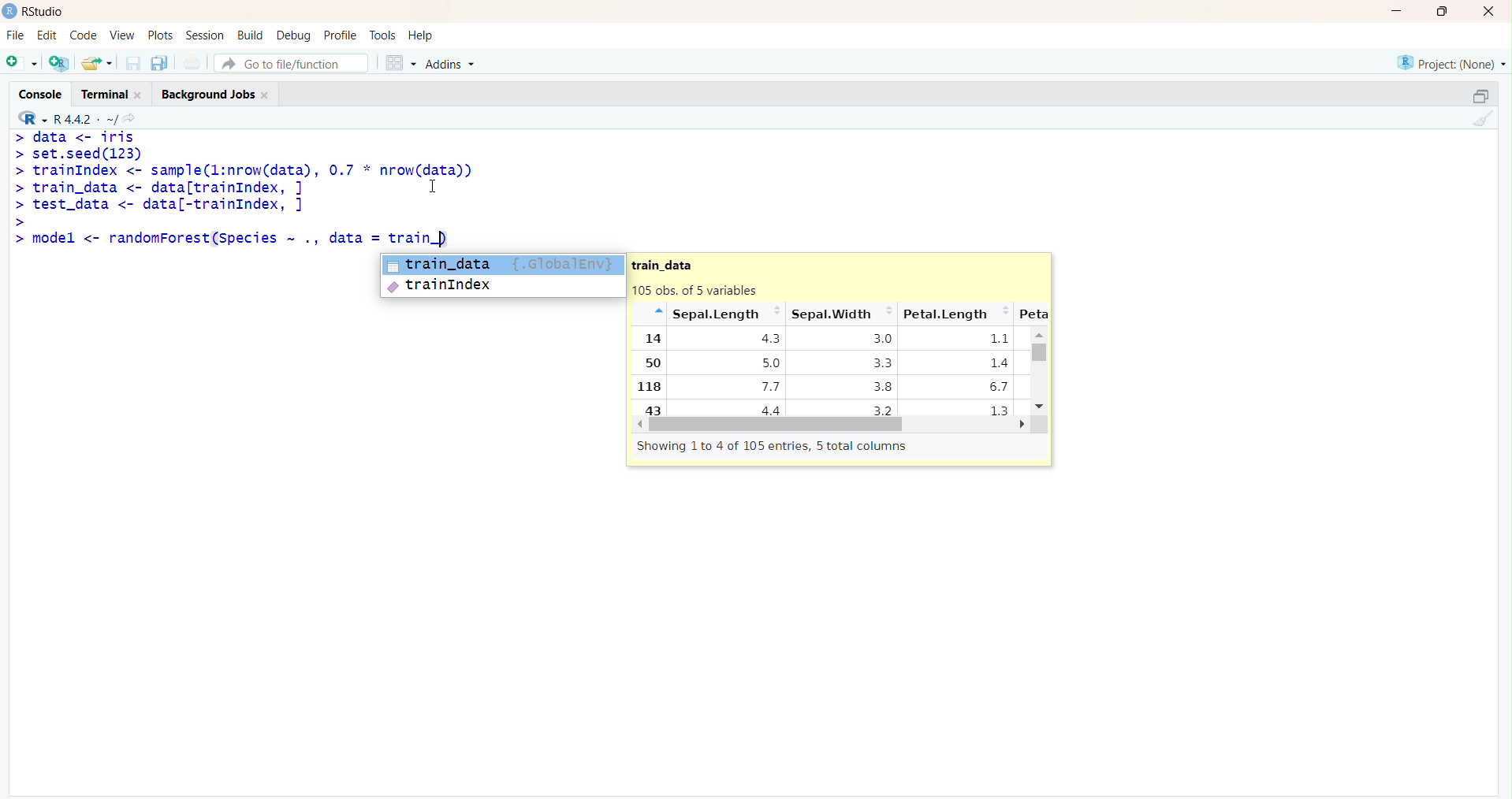 Image resolution: width=1512 pixels, height=799 pixels. I want to click on Prompt cursor, so click(19, 205).